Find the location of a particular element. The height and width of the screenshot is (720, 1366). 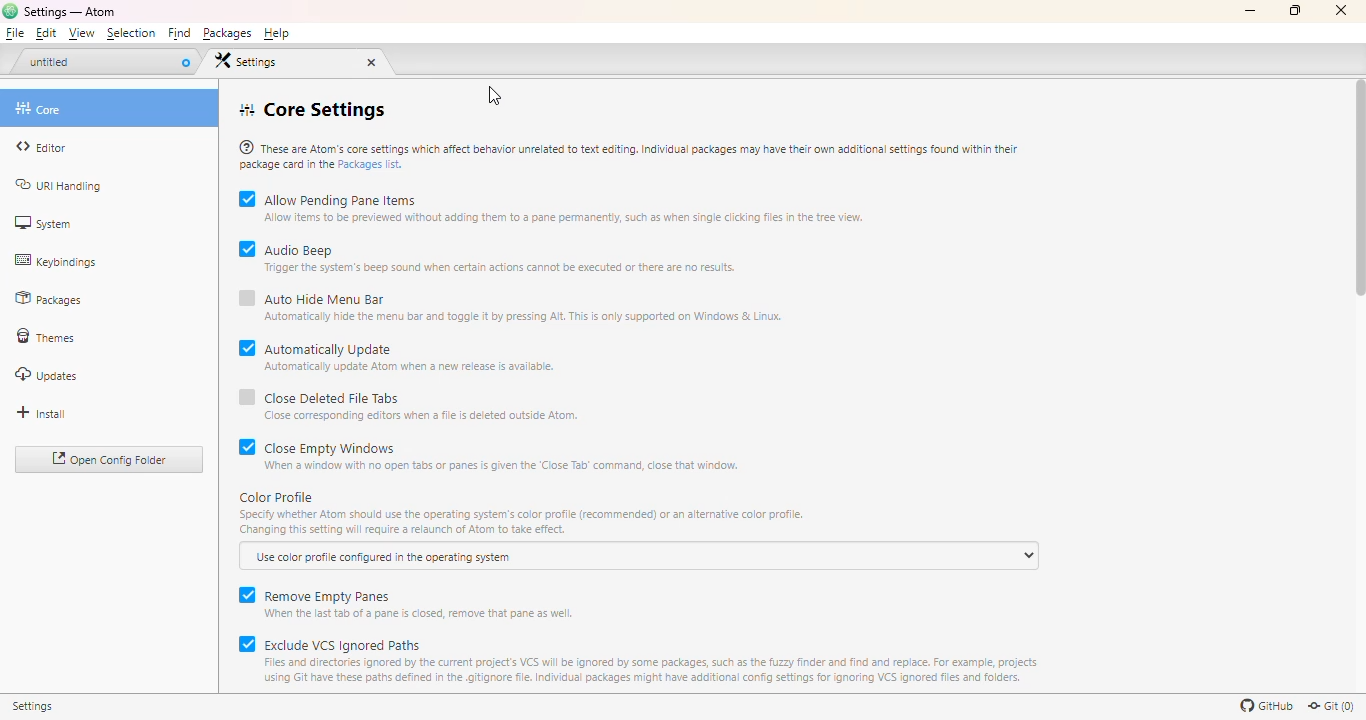

close tab is located at coordinates (372, 62).